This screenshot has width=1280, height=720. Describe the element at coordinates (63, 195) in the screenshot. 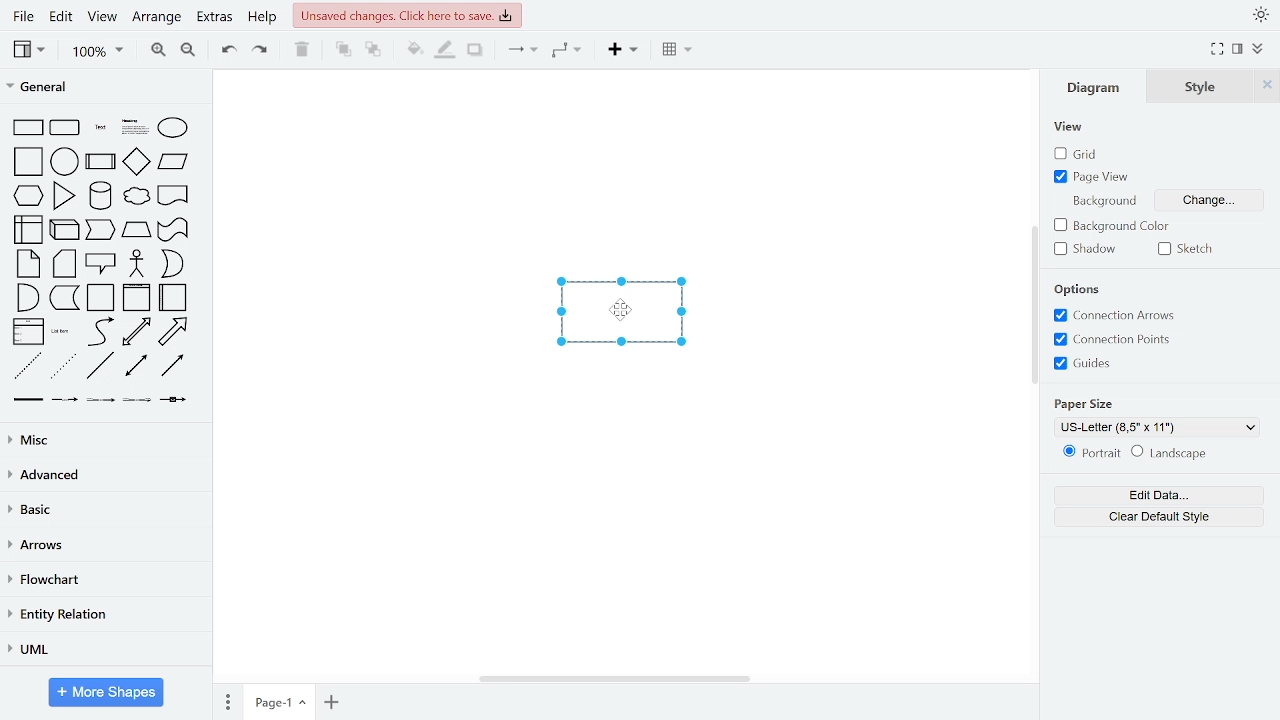

I see `general shapes` at that location.